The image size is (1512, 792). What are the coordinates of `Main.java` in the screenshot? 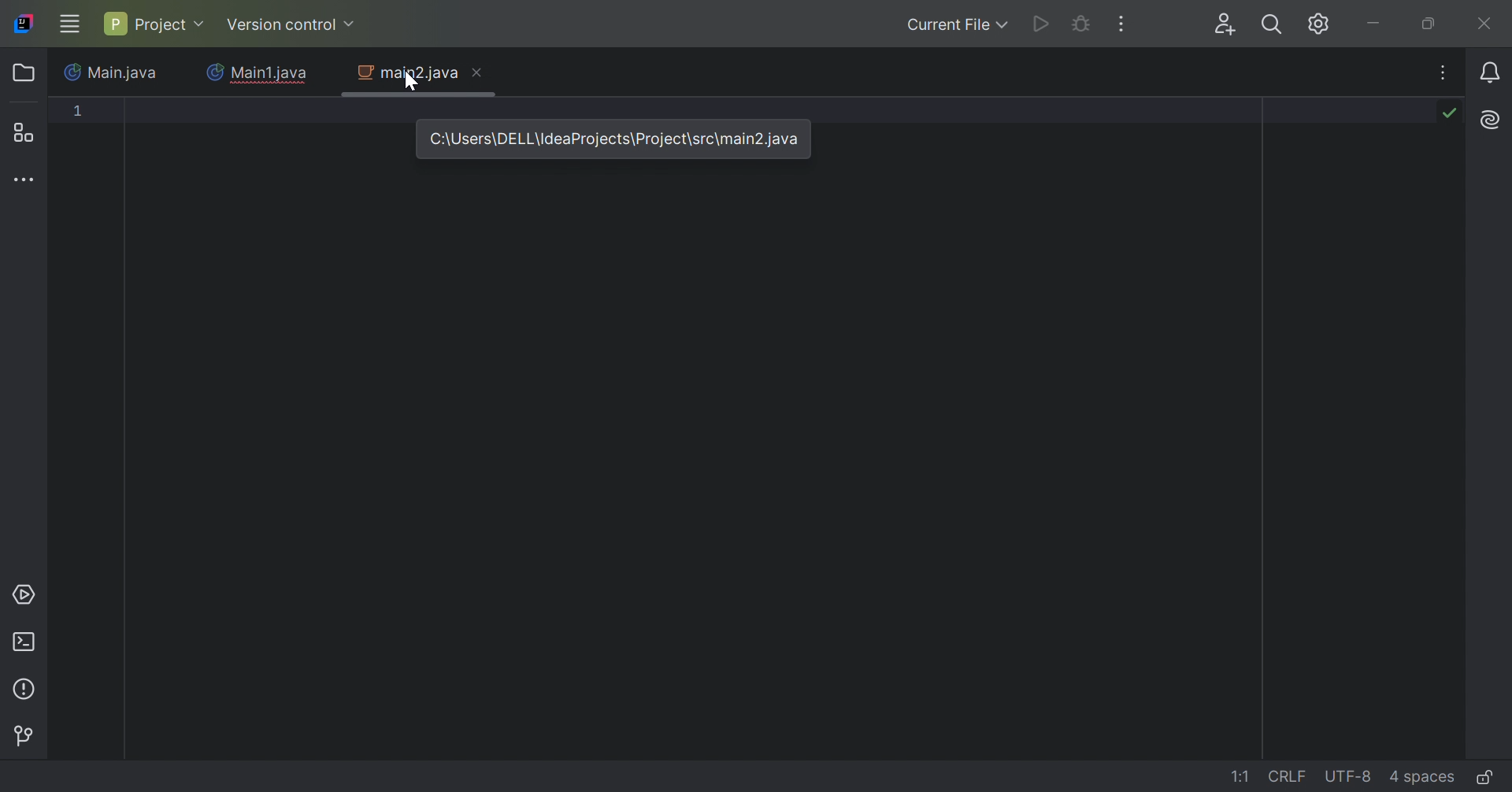 It's located at (113, 73).